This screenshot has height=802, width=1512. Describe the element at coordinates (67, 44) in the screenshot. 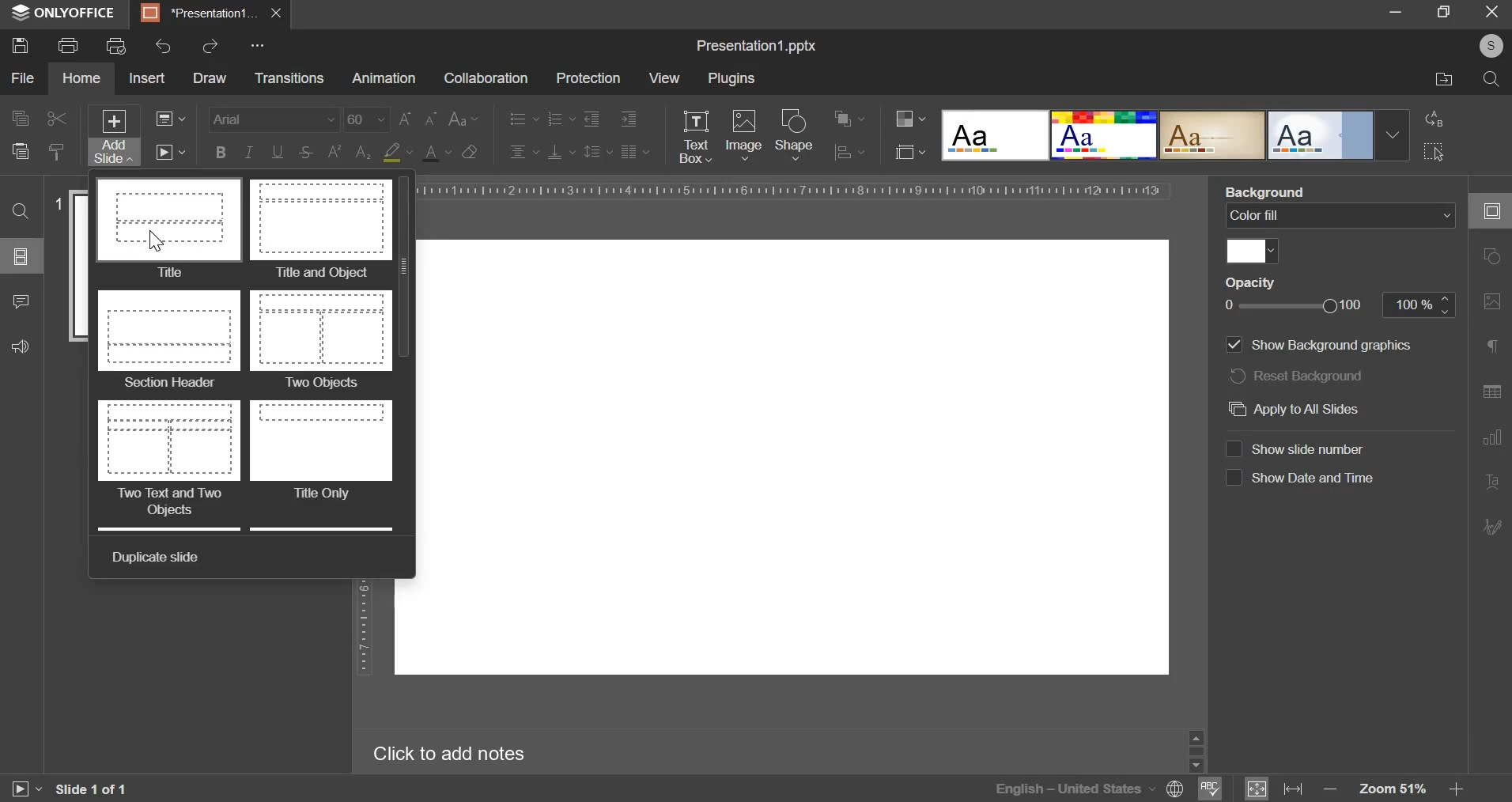

I see `print` at that location.